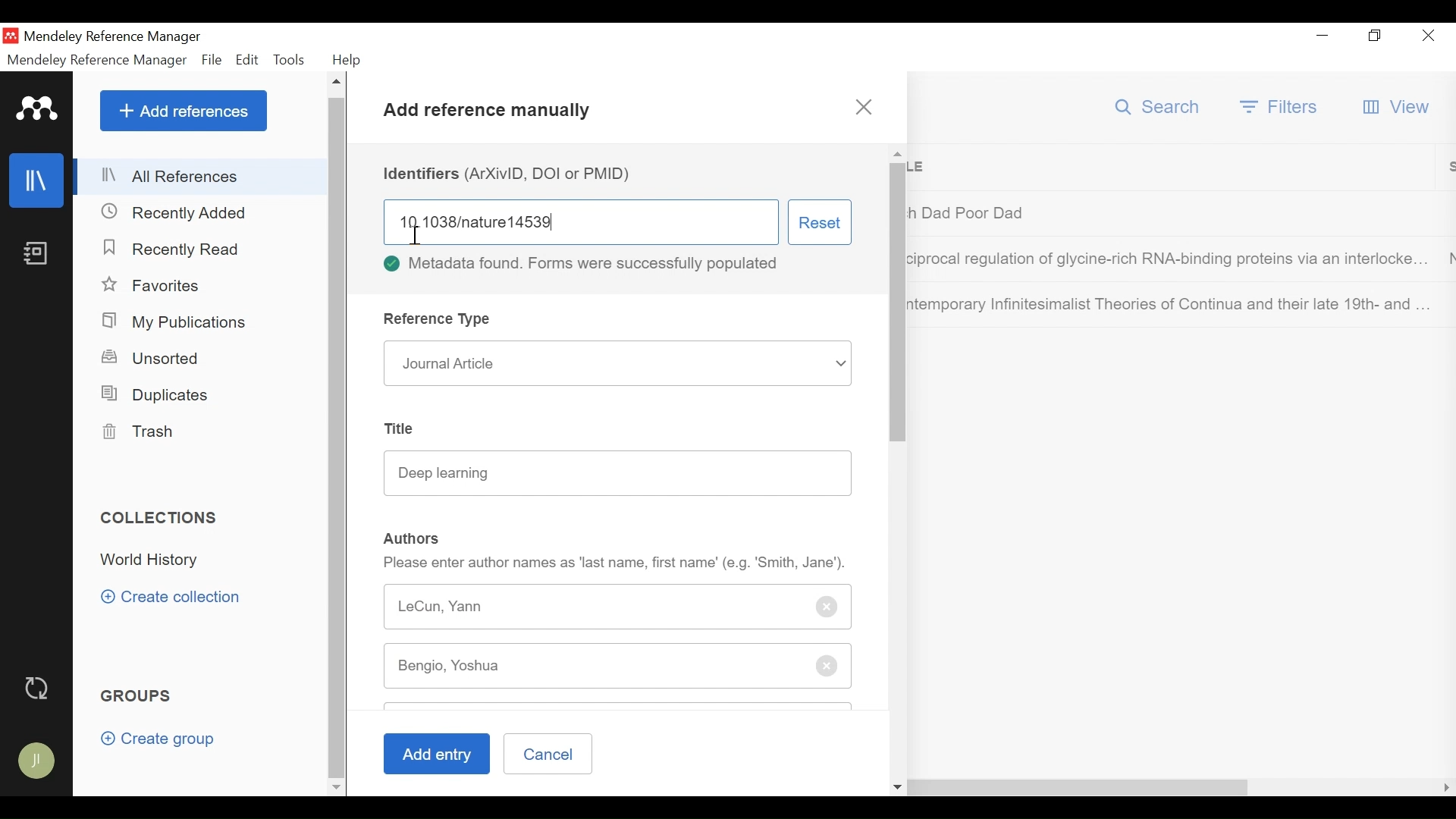 Image resolution: width=1456 pixels, height=819 pixels. I want to click on Cancel, so click(548, 752).